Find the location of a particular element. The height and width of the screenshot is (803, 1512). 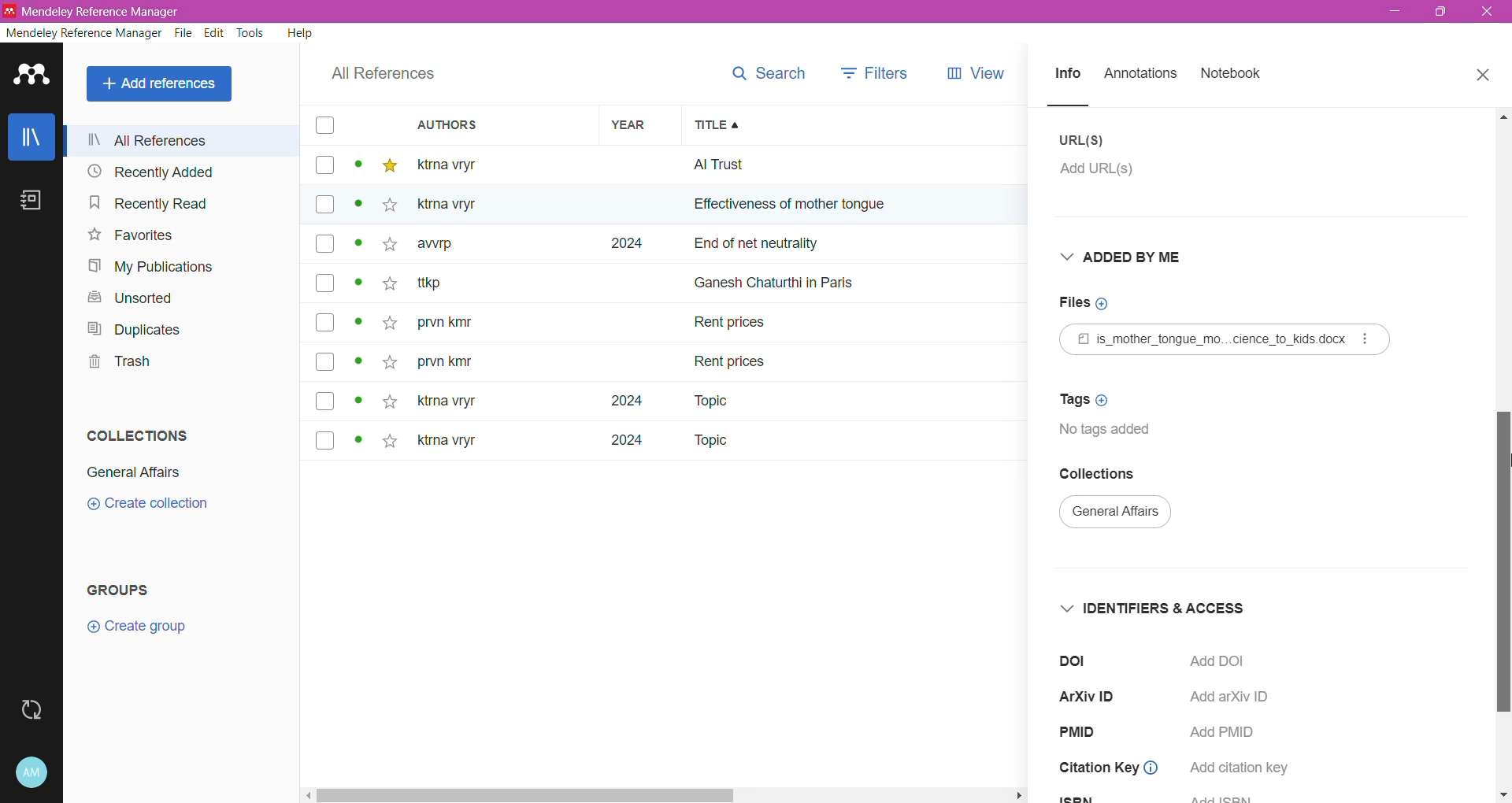

Unsorted is located at coordinates (136, 299).